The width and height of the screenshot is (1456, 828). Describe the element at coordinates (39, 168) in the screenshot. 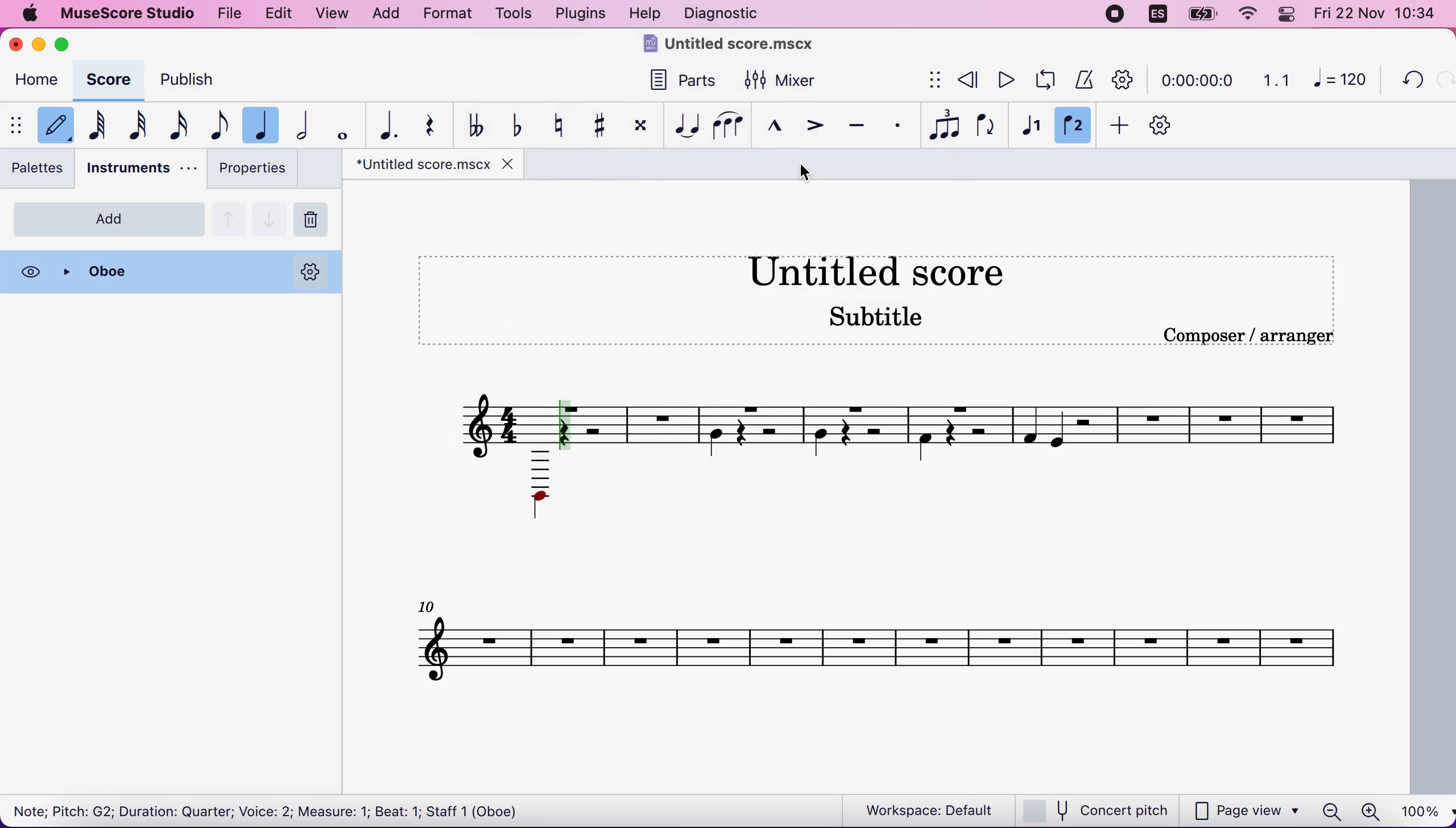

I see `palettes` at that location.